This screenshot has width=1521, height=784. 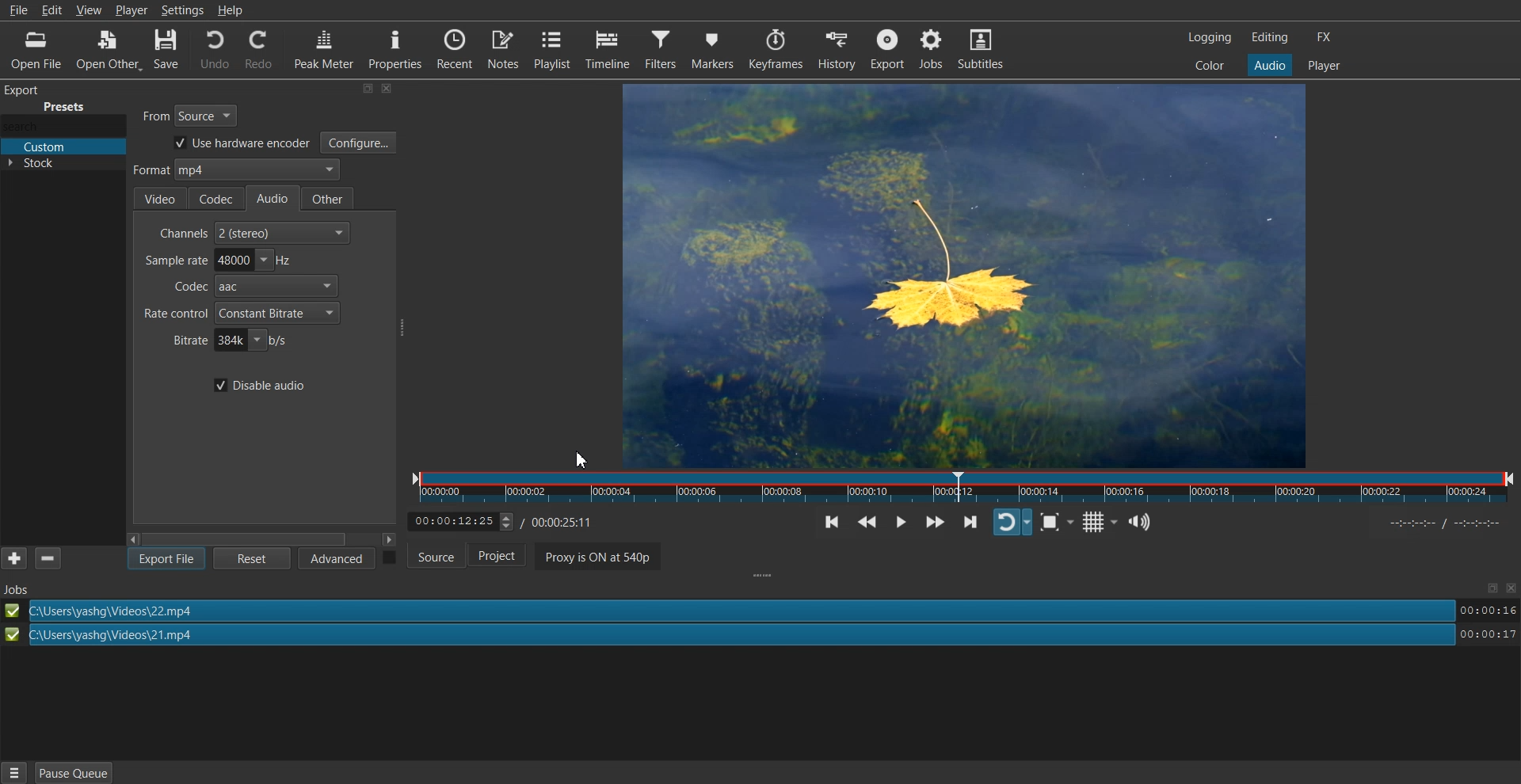 What do you see at coordinates (257, 49) in the screenshot?
I see `Redo` at bounding box center [257, 49].